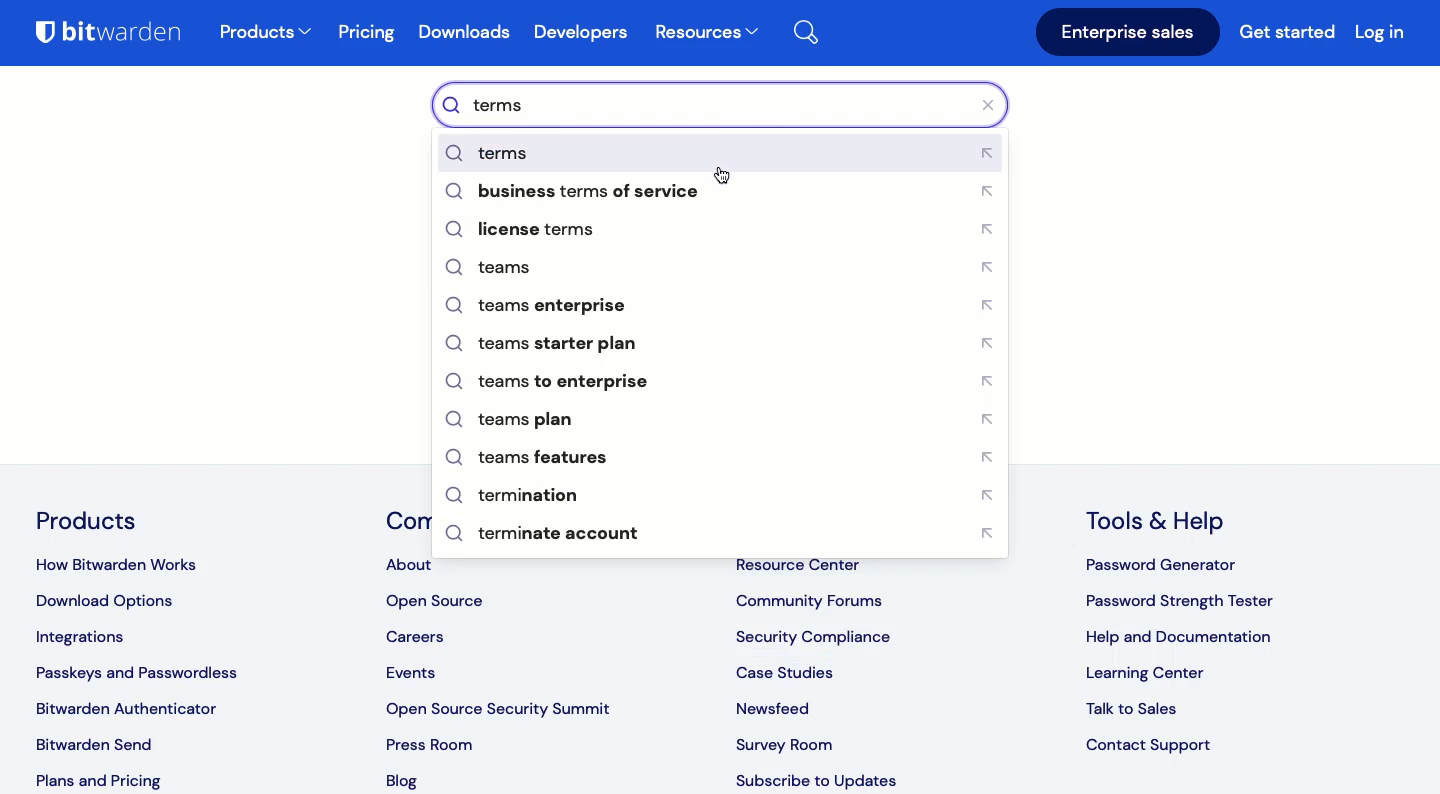  Describe the element at coordinates (1152, 746) in the screenshot. I see `contact support` at that location.